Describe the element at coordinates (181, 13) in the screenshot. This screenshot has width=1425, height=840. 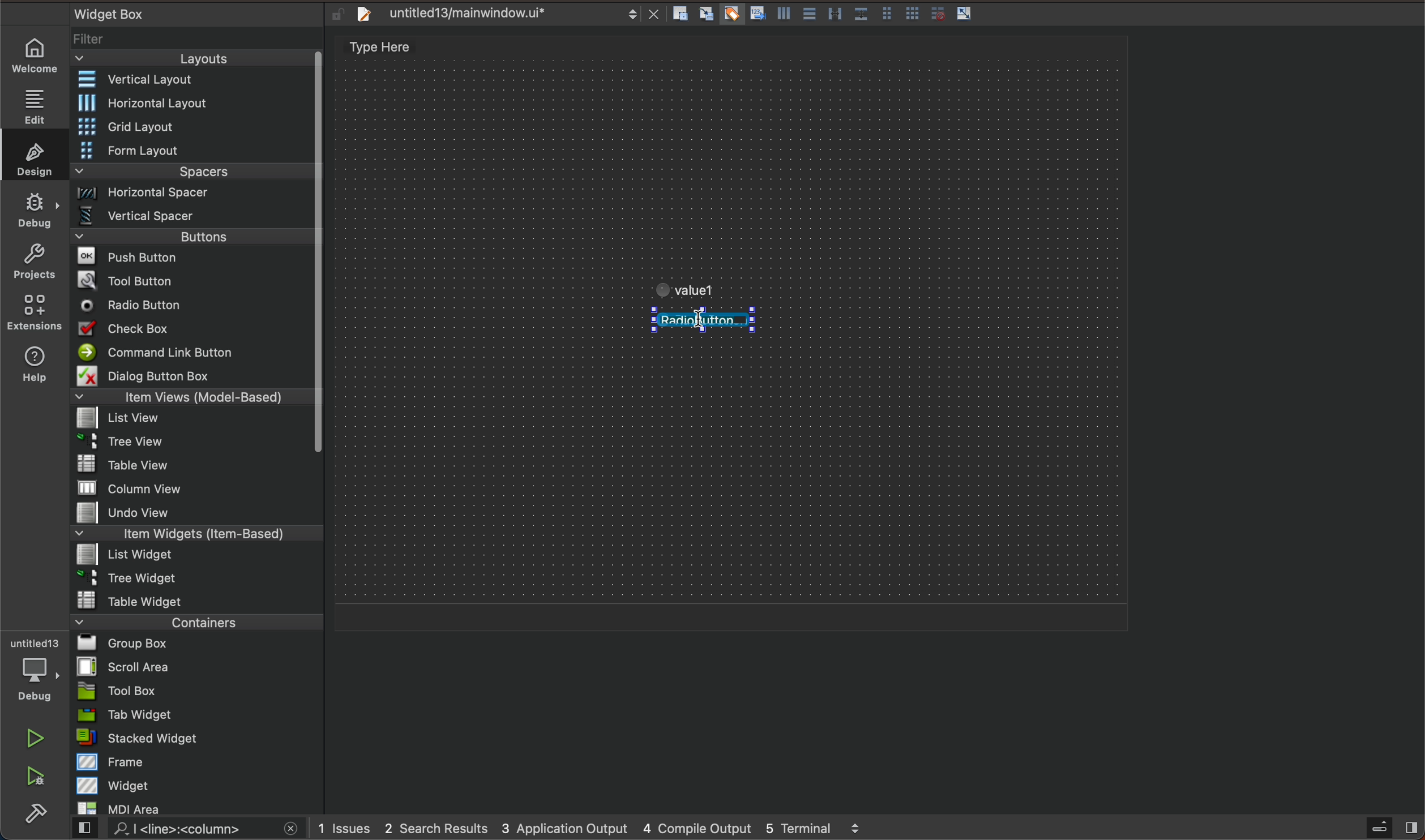
I see `widget box` at that location.